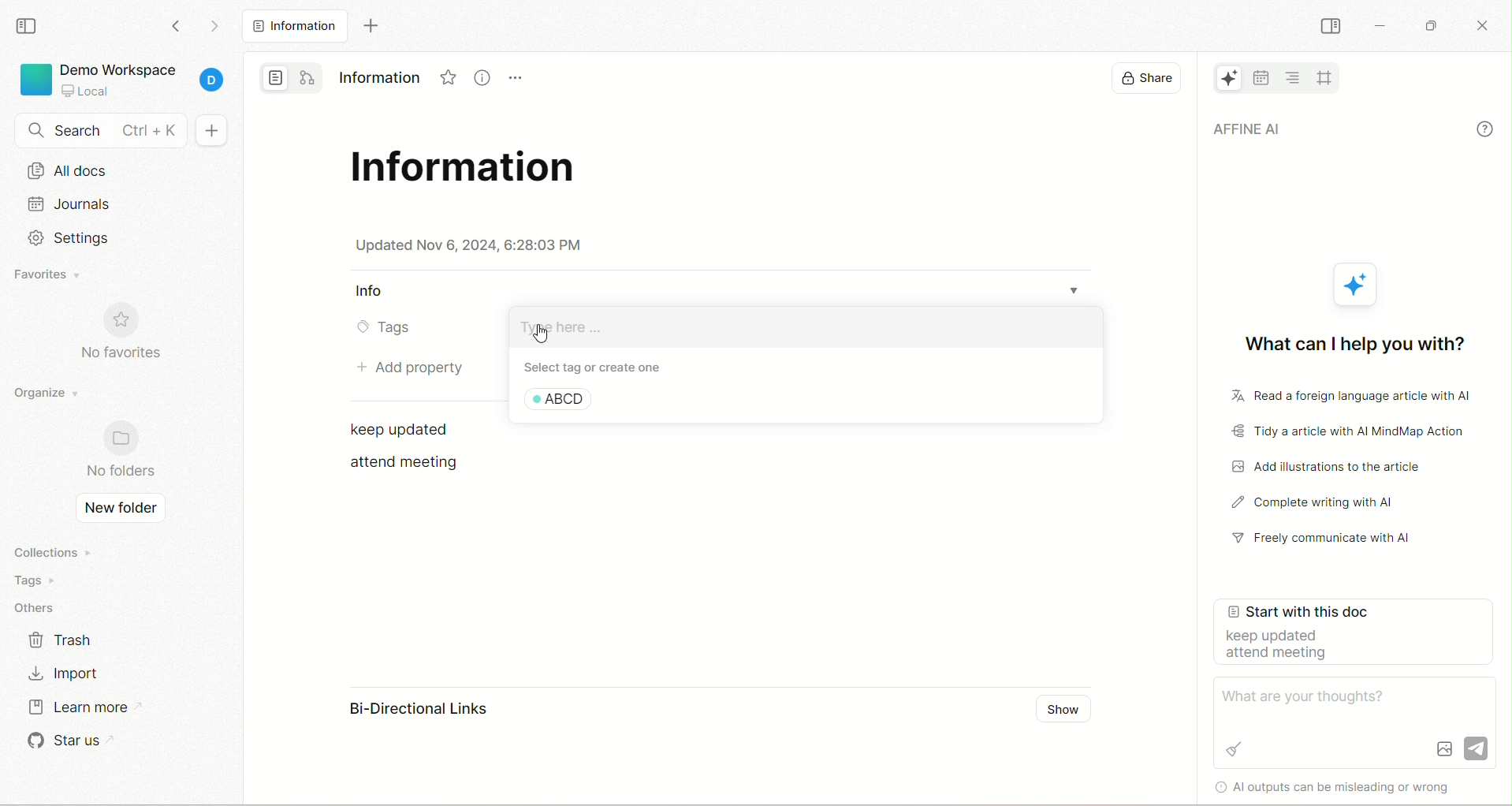 This screenshot has height=806, width=1512. What do you see at coordinates (605, 369) in the screenshot?
I see `select tag or create one` at bounding box center [605, 369].